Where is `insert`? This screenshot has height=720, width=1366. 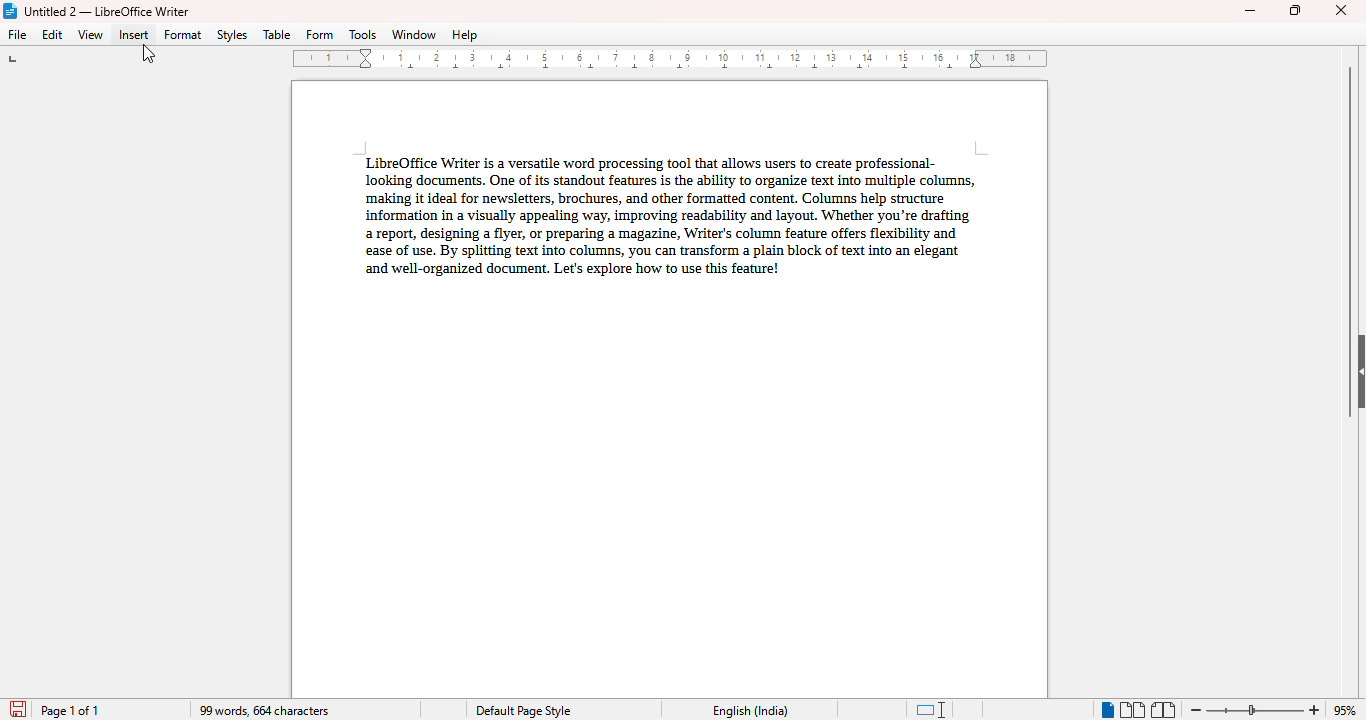
insert is located at coordinates (134, 34).